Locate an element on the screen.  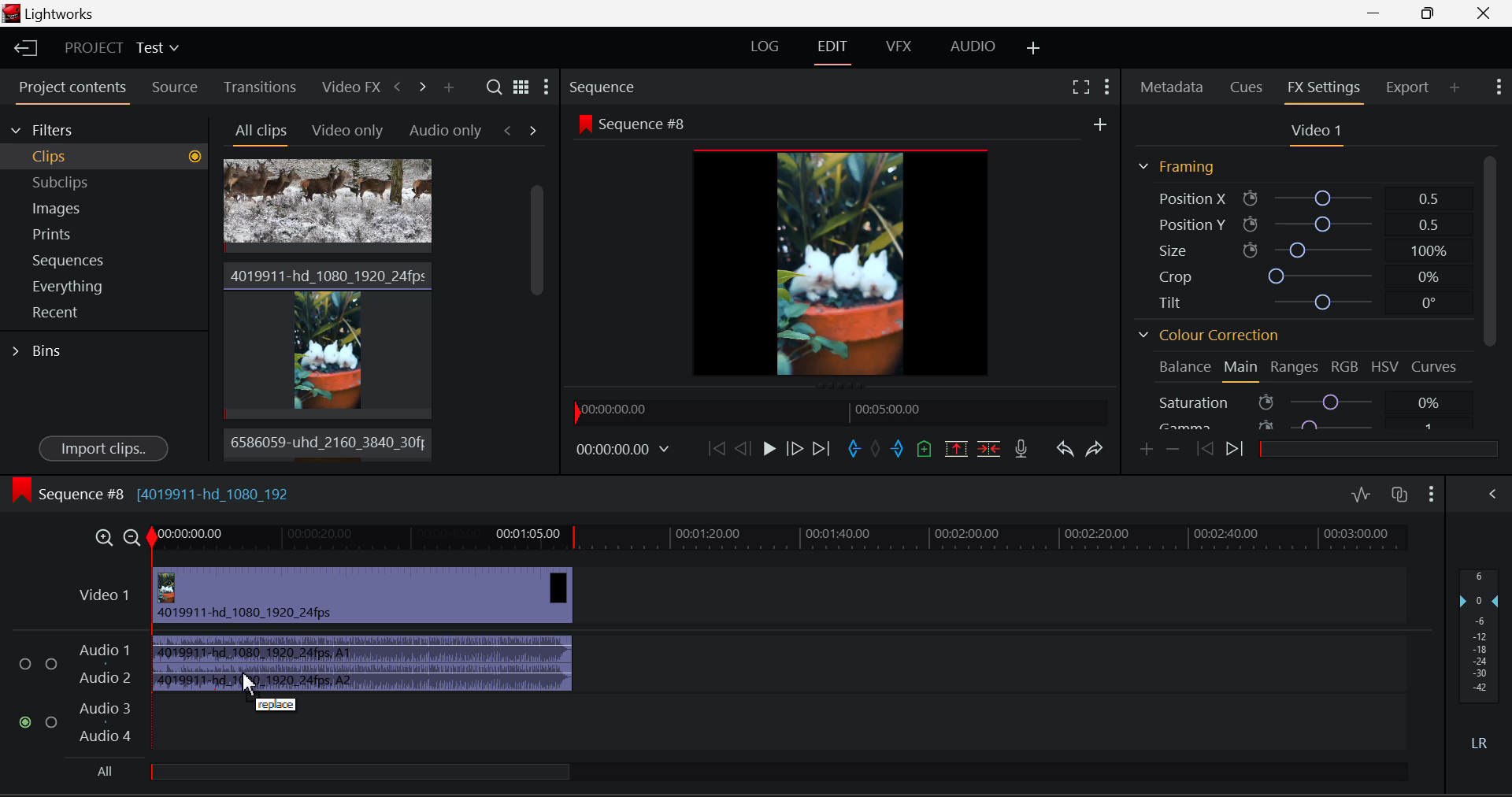
Filters is located at coordinates (104, 129).